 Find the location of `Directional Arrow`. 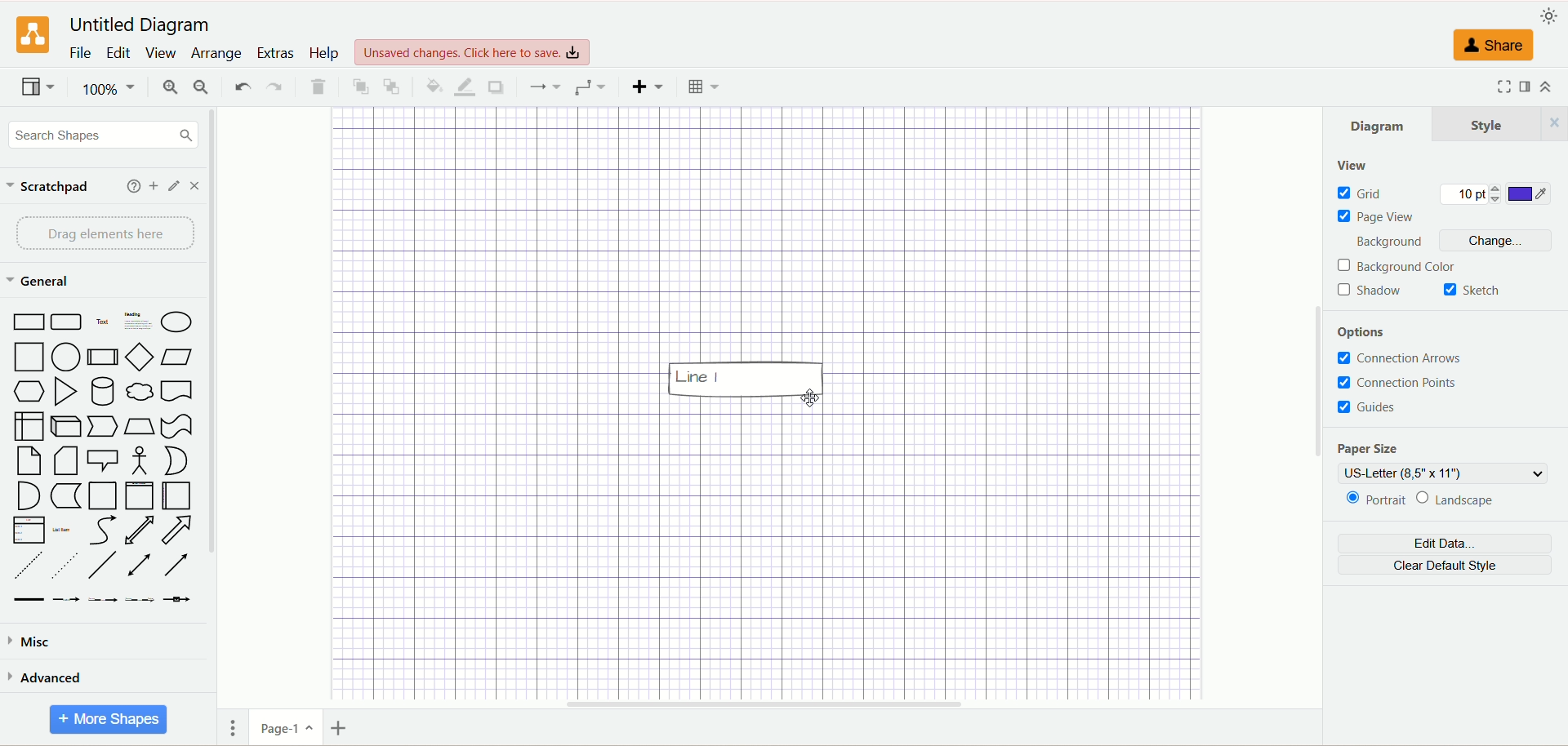

Directional Arrow is located at coordinates (175, 566).